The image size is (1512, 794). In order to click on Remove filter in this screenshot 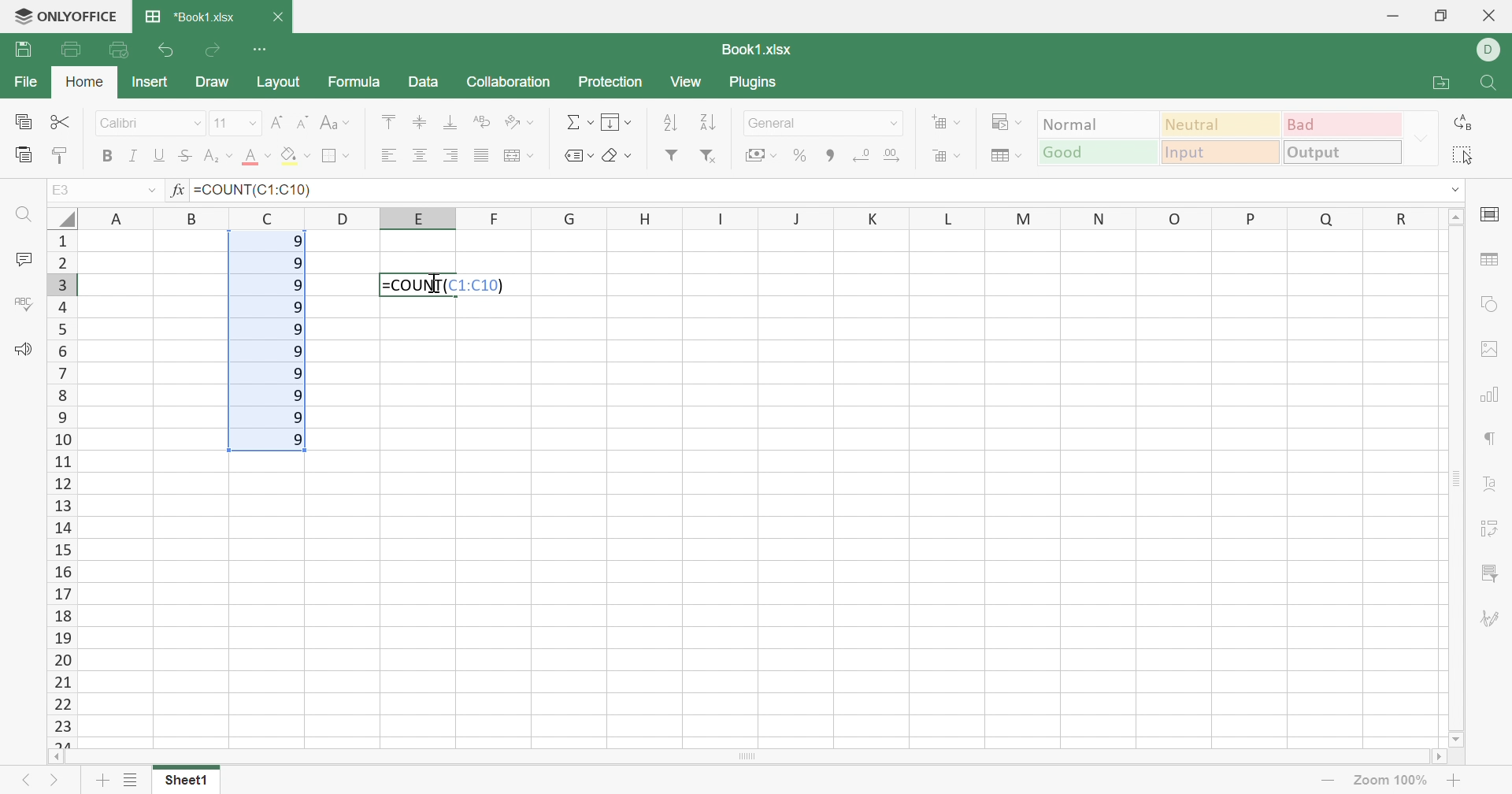, I will do `click(706, 155)`.